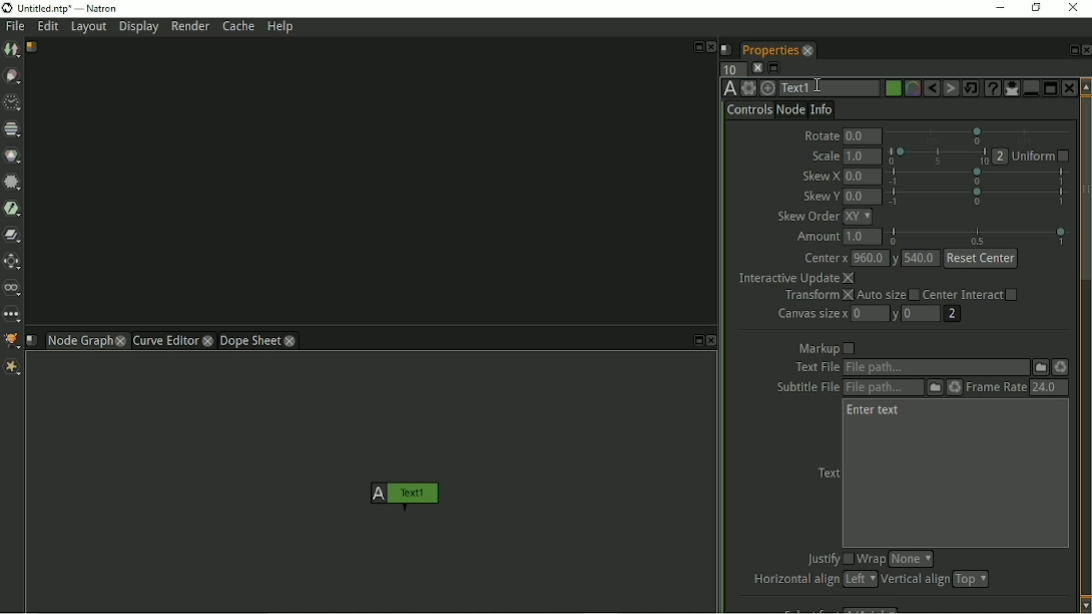  Describe the element at coordinates (291, 340) in the screenshot. I see `close` at that location.